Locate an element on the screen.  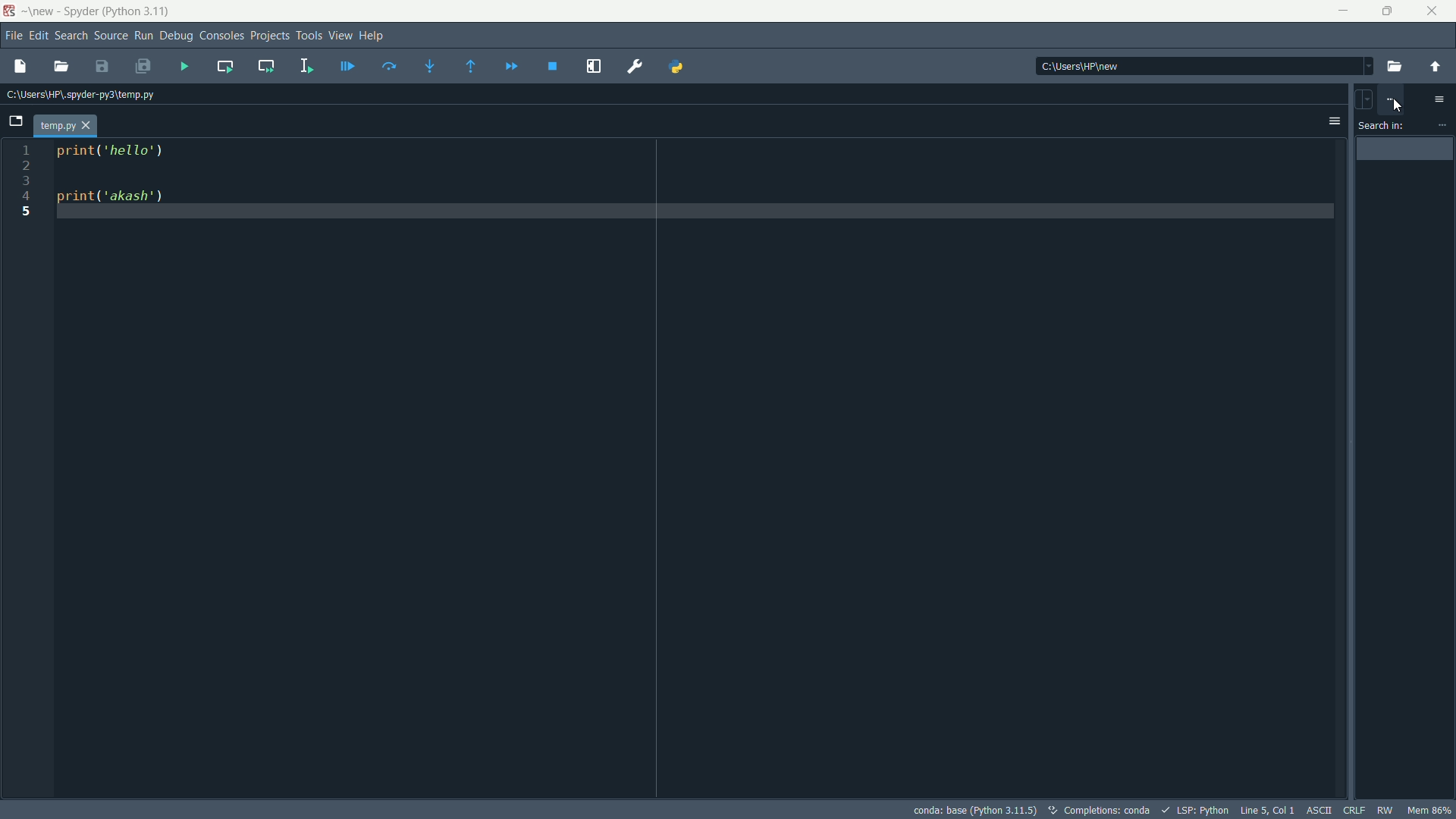
more options is located at coordinates (1440, 99).